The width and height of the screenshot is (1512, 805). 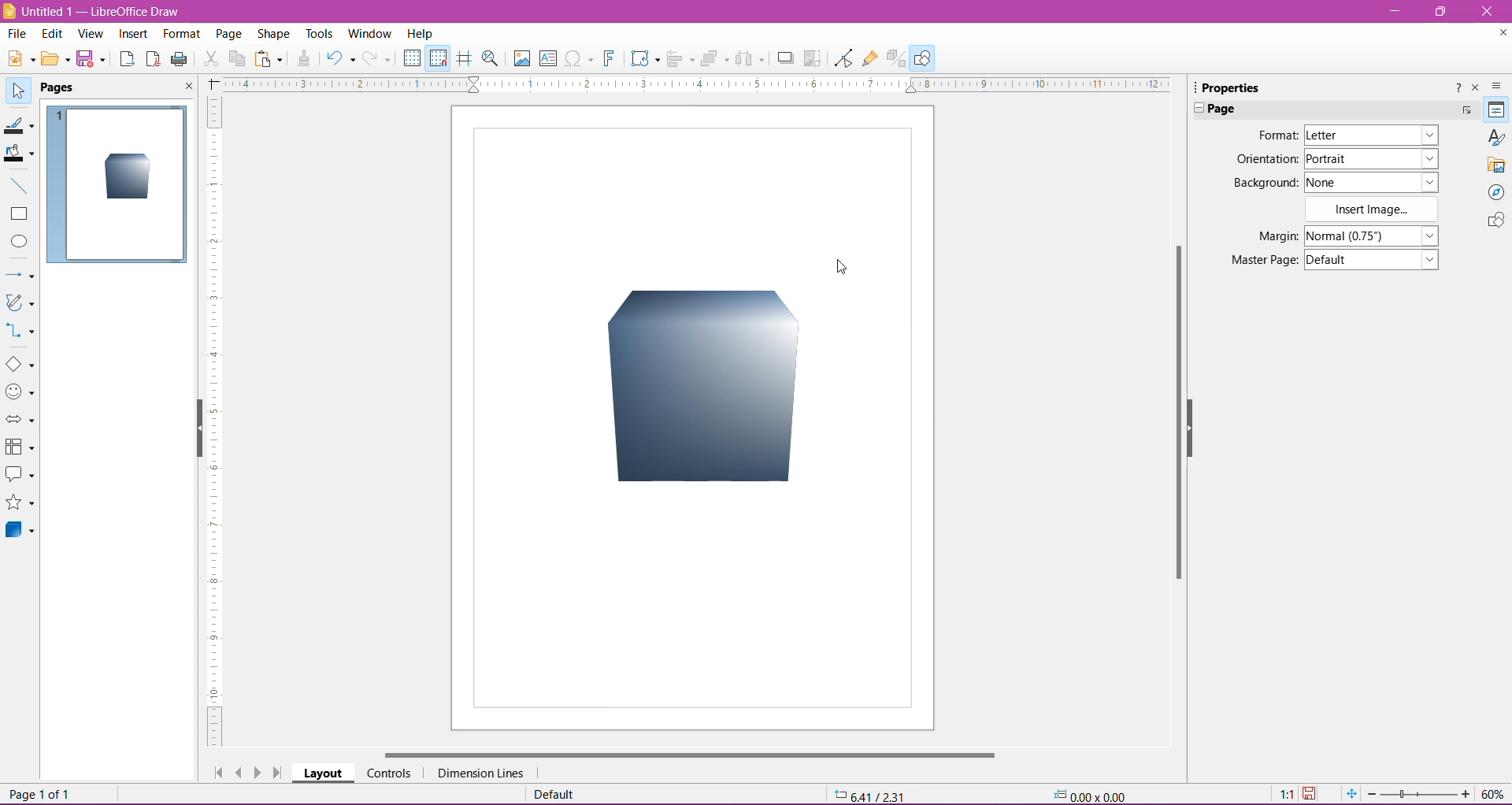 I want to click on Scroll to previous page, so click(x=239, y=772).